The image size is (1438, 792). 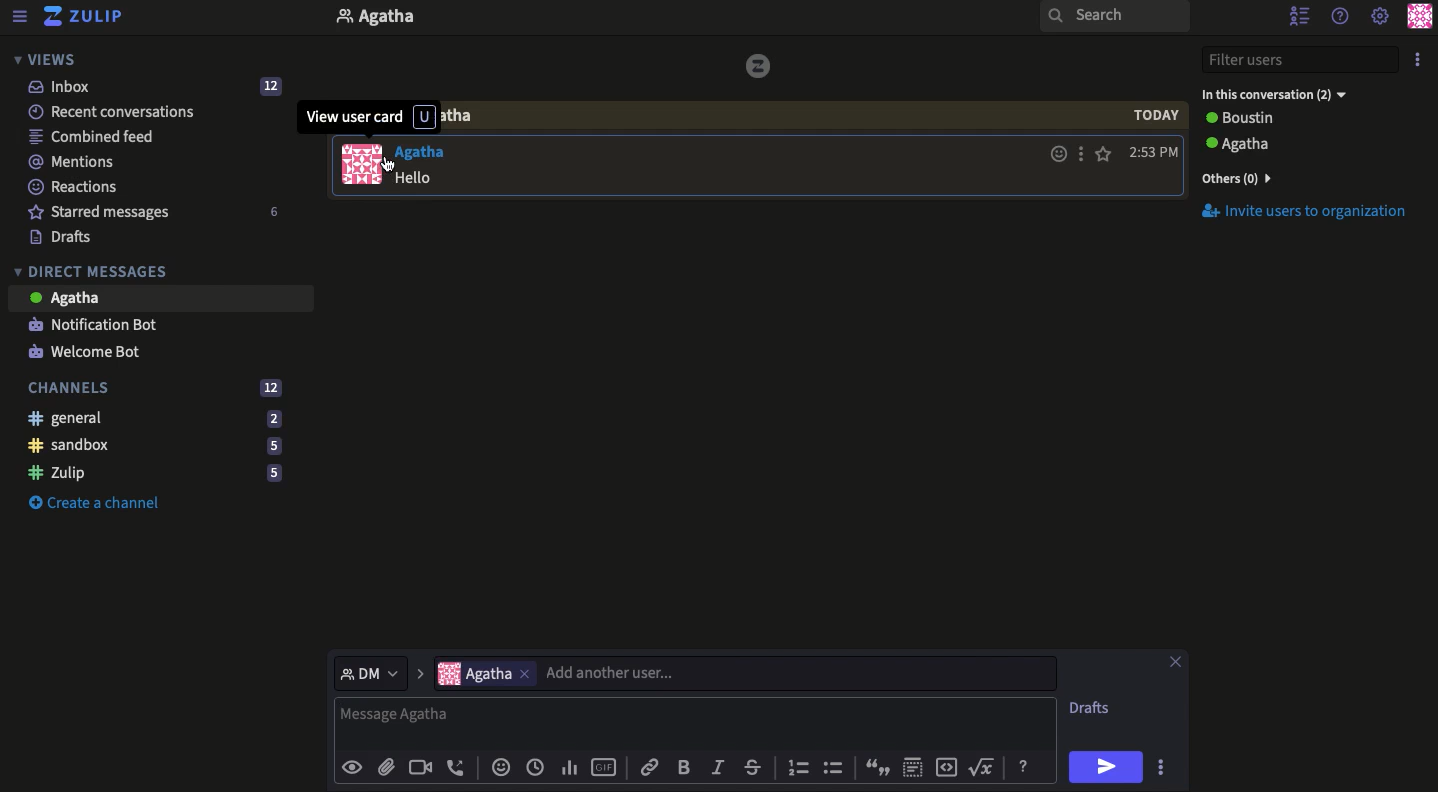 What do you see at coordinates (1174, 664) in the screenshot?
I see `Close` at bounding box center [1174, 664].